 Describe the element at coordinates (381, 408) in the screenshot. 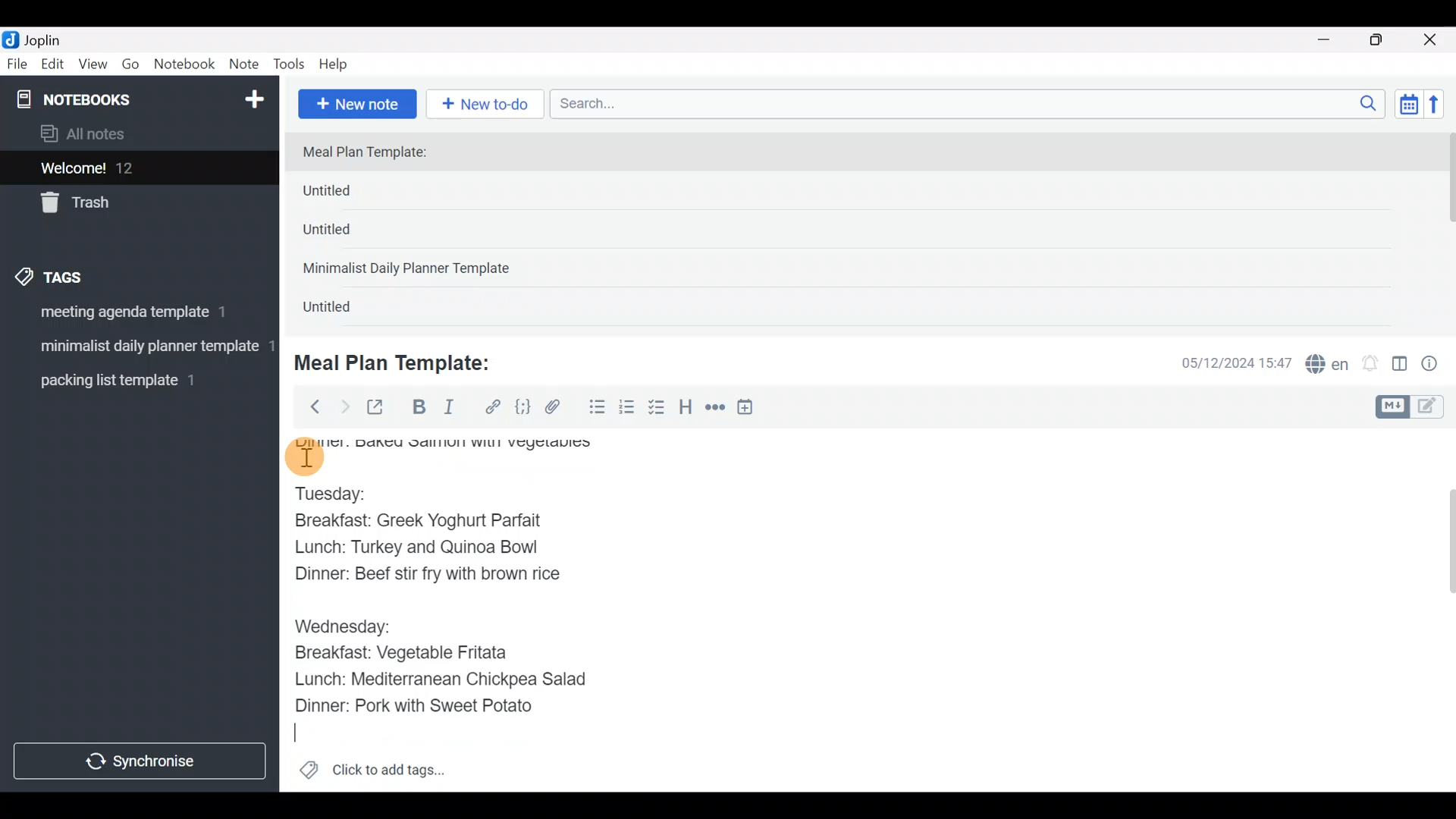

I see `Toggle external editing` at that location.